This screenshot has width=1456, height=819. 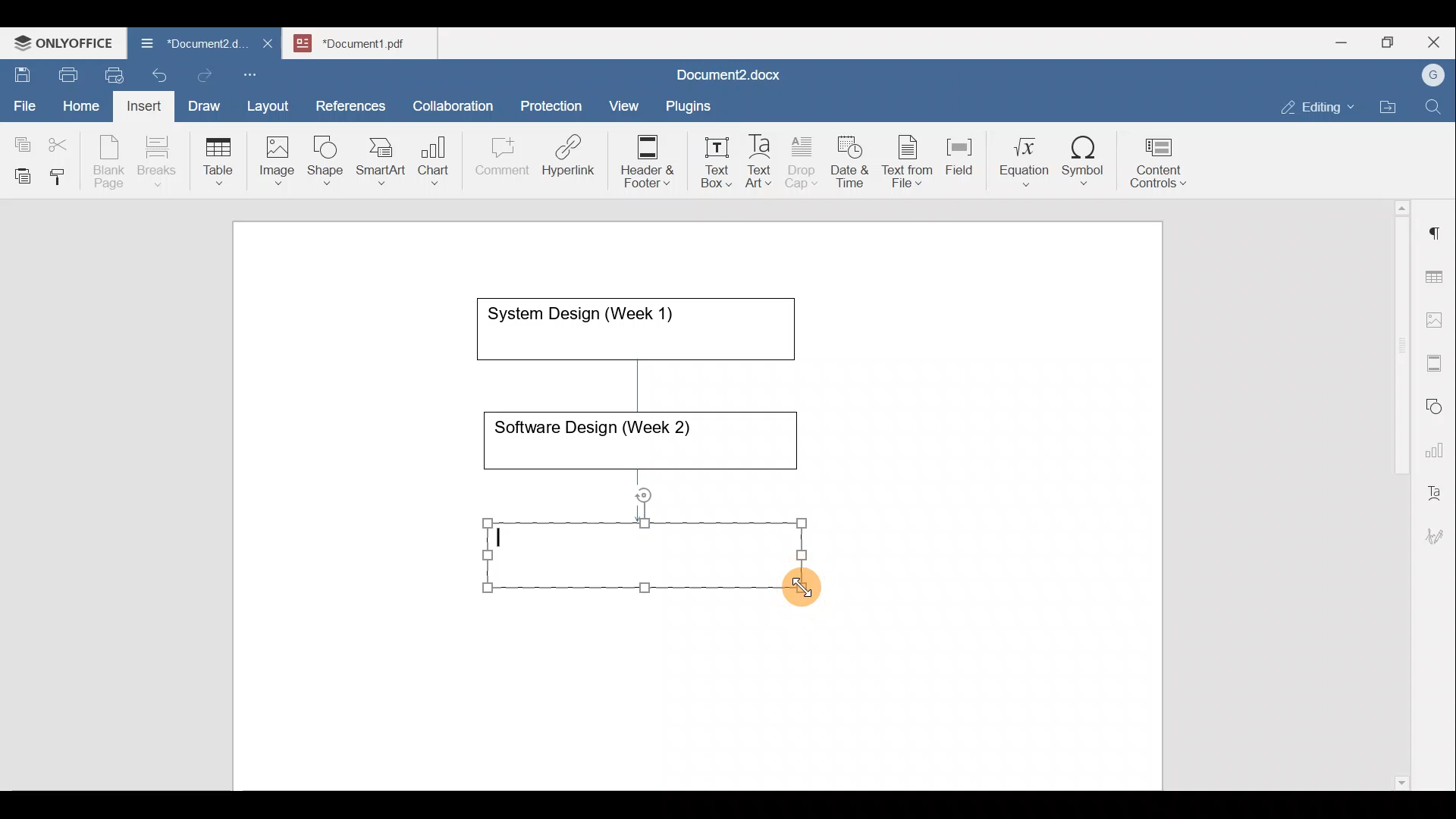 What do you see at coordinates (281, 155) in the screenshot?
I see `Image` at bounding box center [281, 155].